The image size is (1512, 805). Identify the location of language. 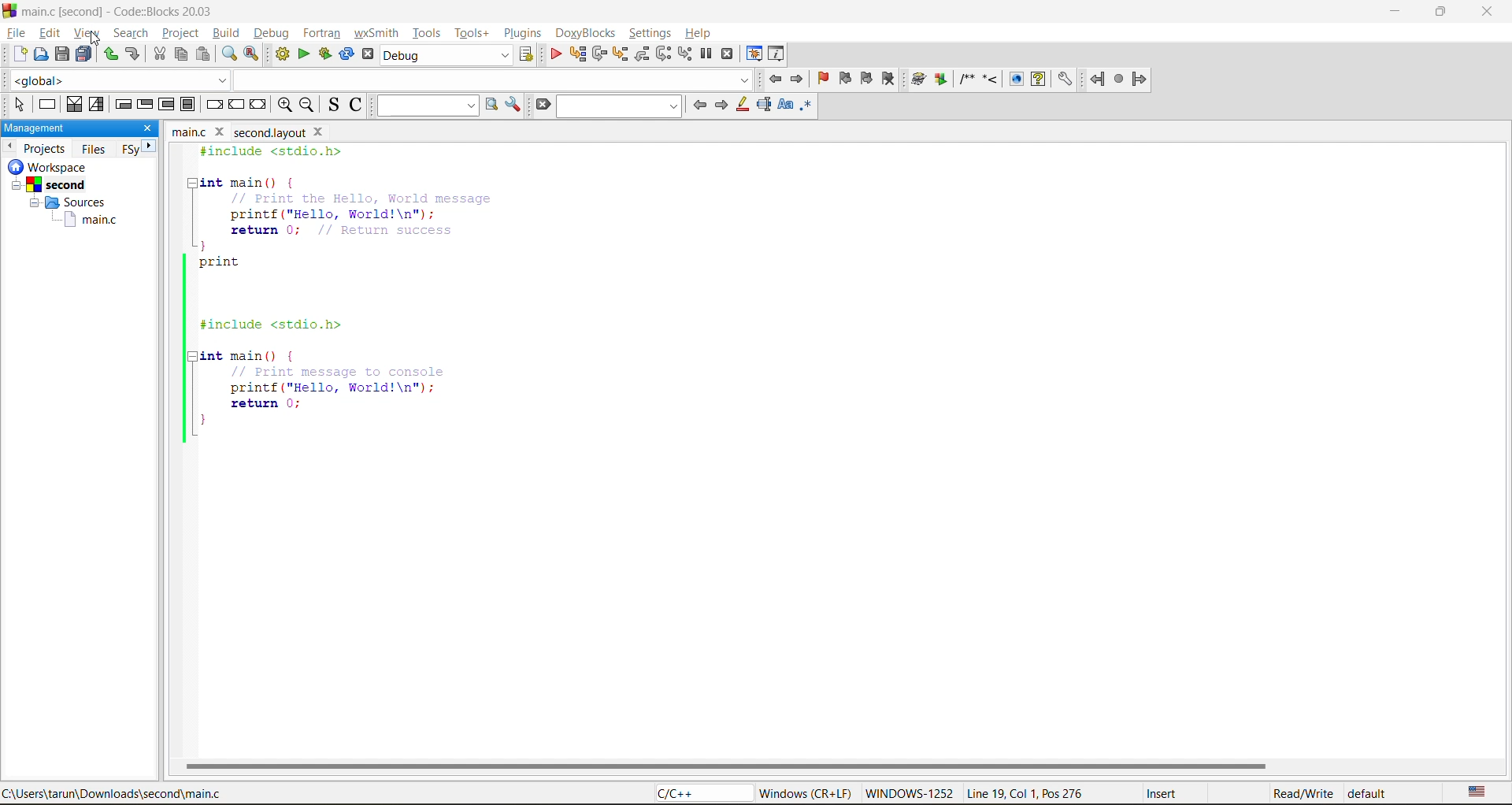
(698, 794).